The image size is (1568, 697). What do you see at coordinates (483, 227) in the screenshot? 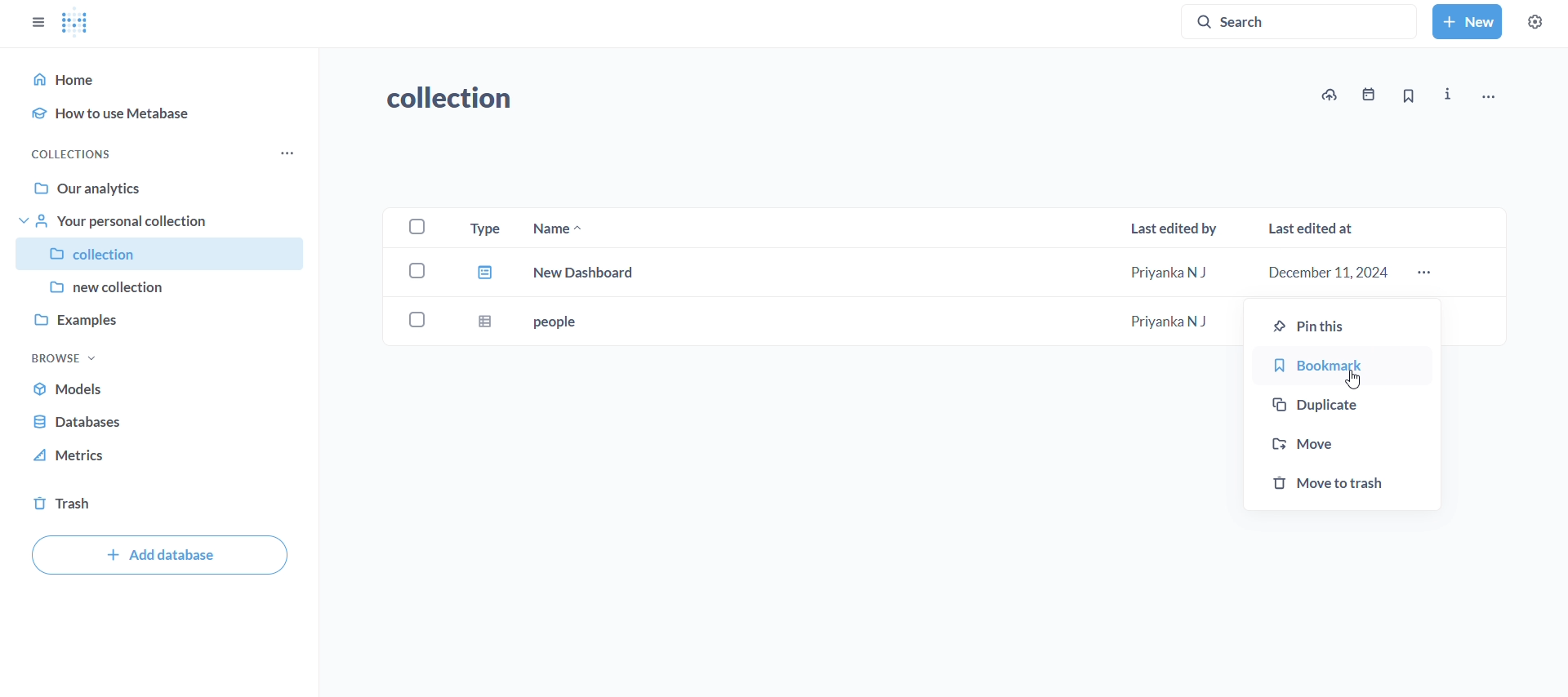
I see `type` at bounding box center [483, 227].